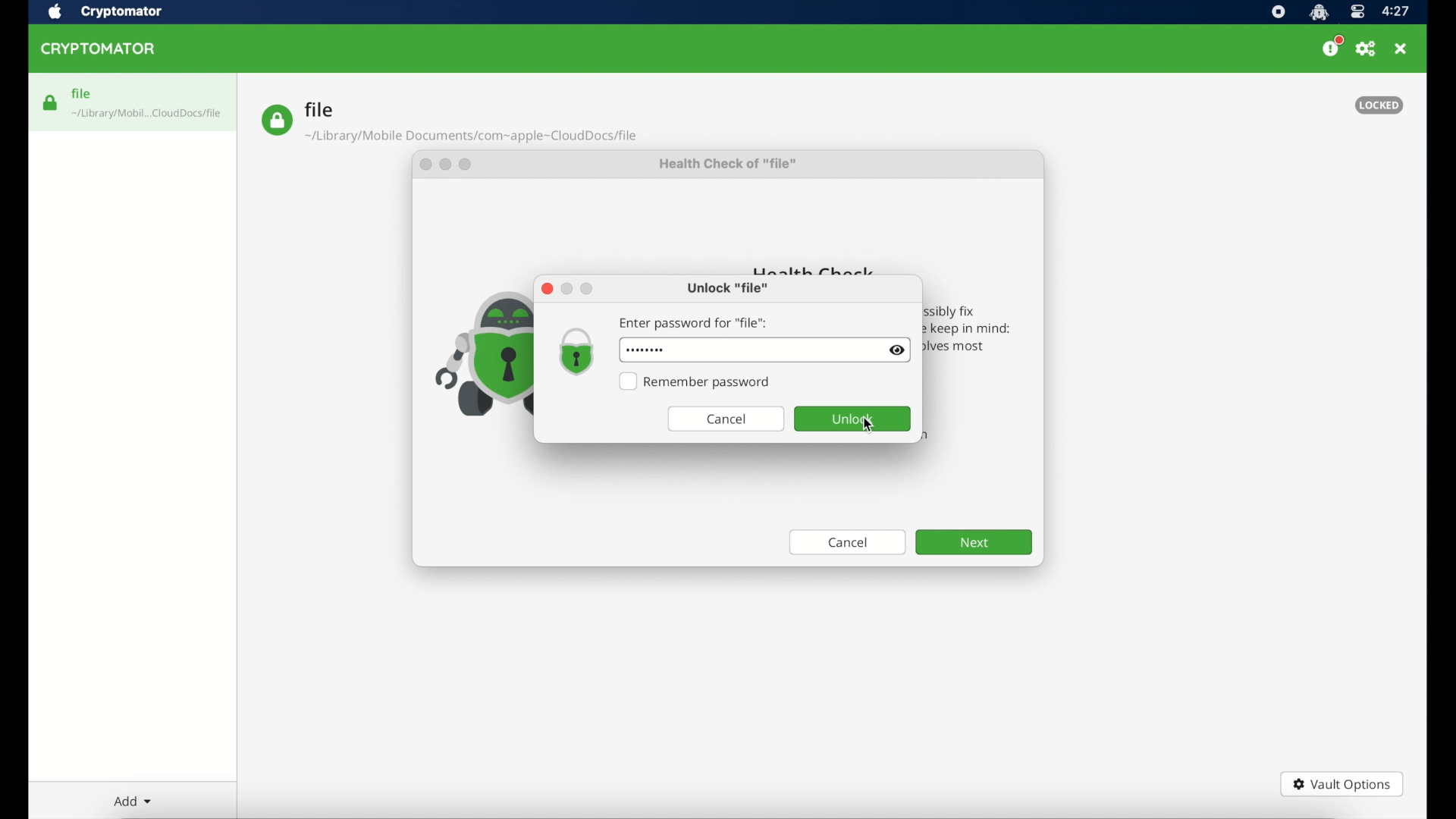 The height and width of the screenshot is (819, 1456). Describe the element at coordinates (133, 102) in the screenshot. I see `file highlighted` at that location.